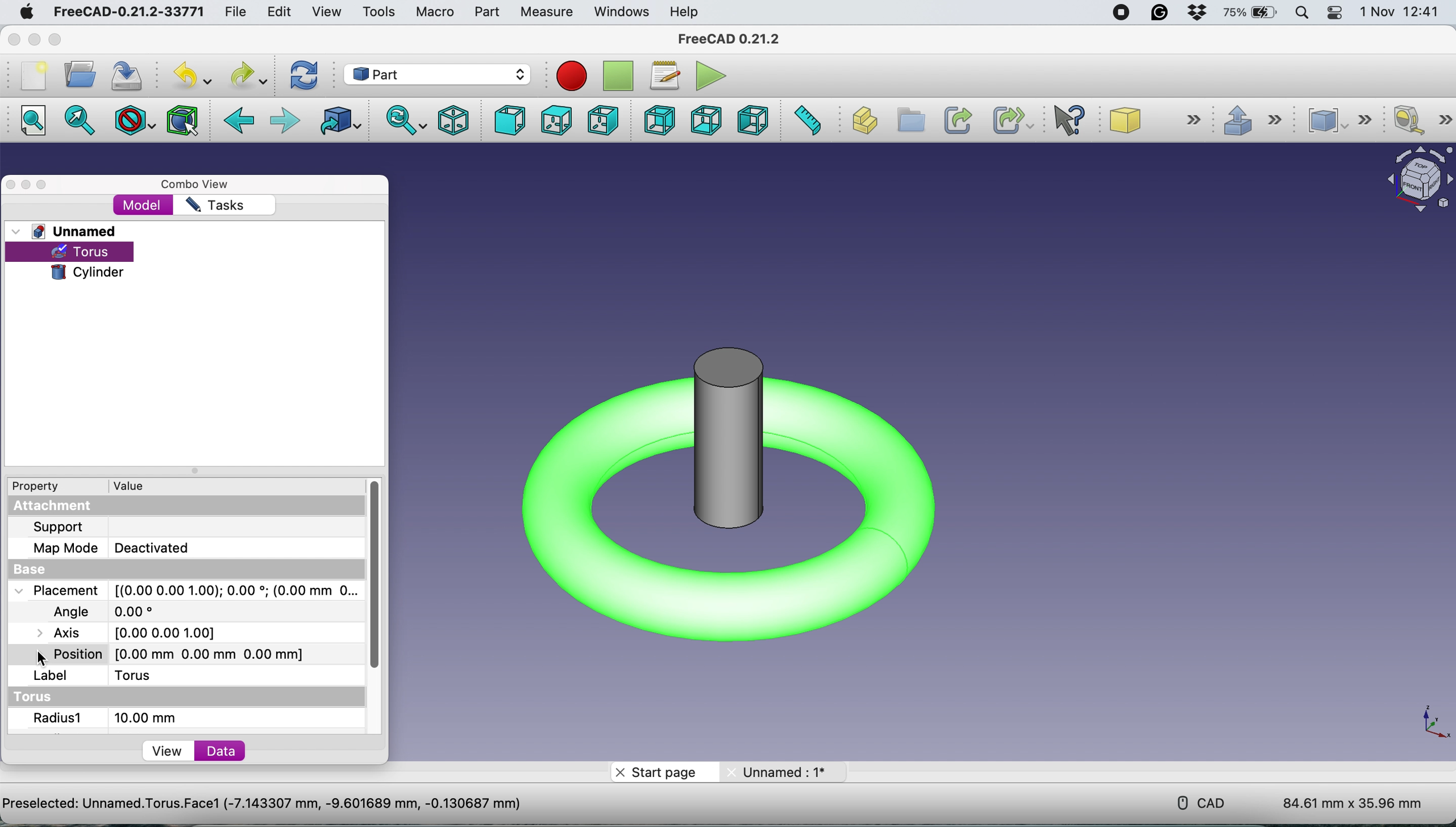  What do you see at coordinates (41, 659) in the screenshot?
I see `cursor` at bounding box center [41, 659].